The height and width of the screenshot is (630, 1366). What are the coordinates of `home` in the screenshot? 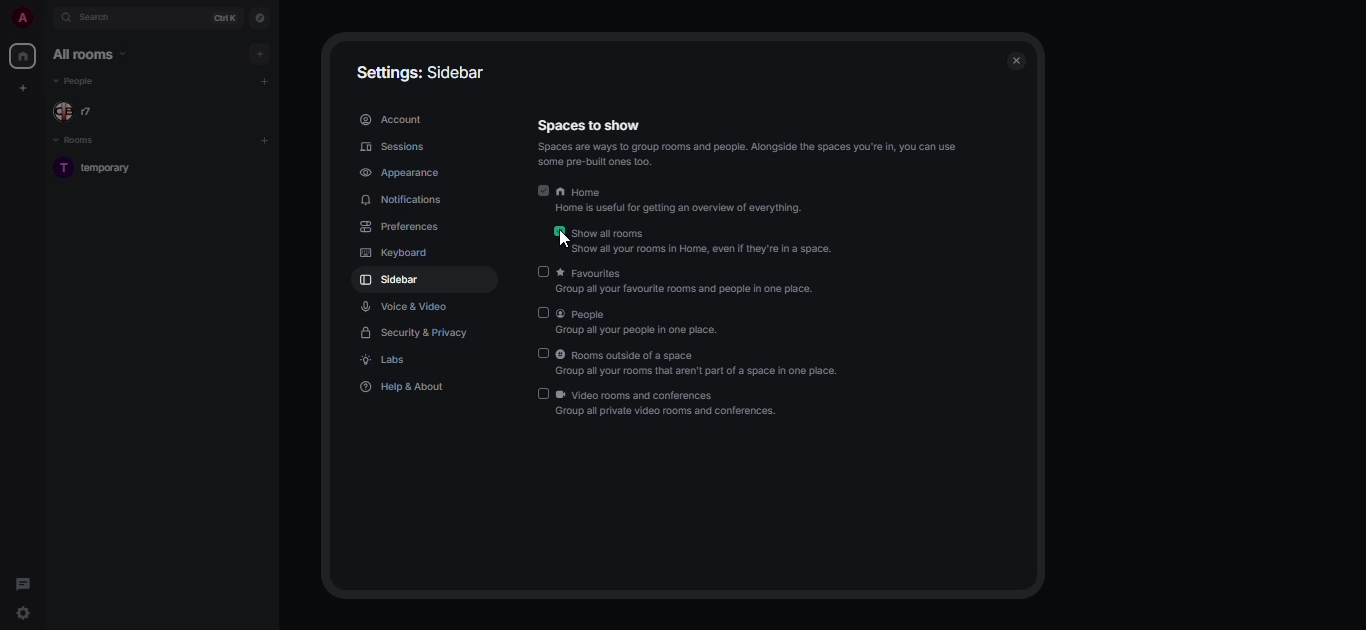 It's located at (23, 56).